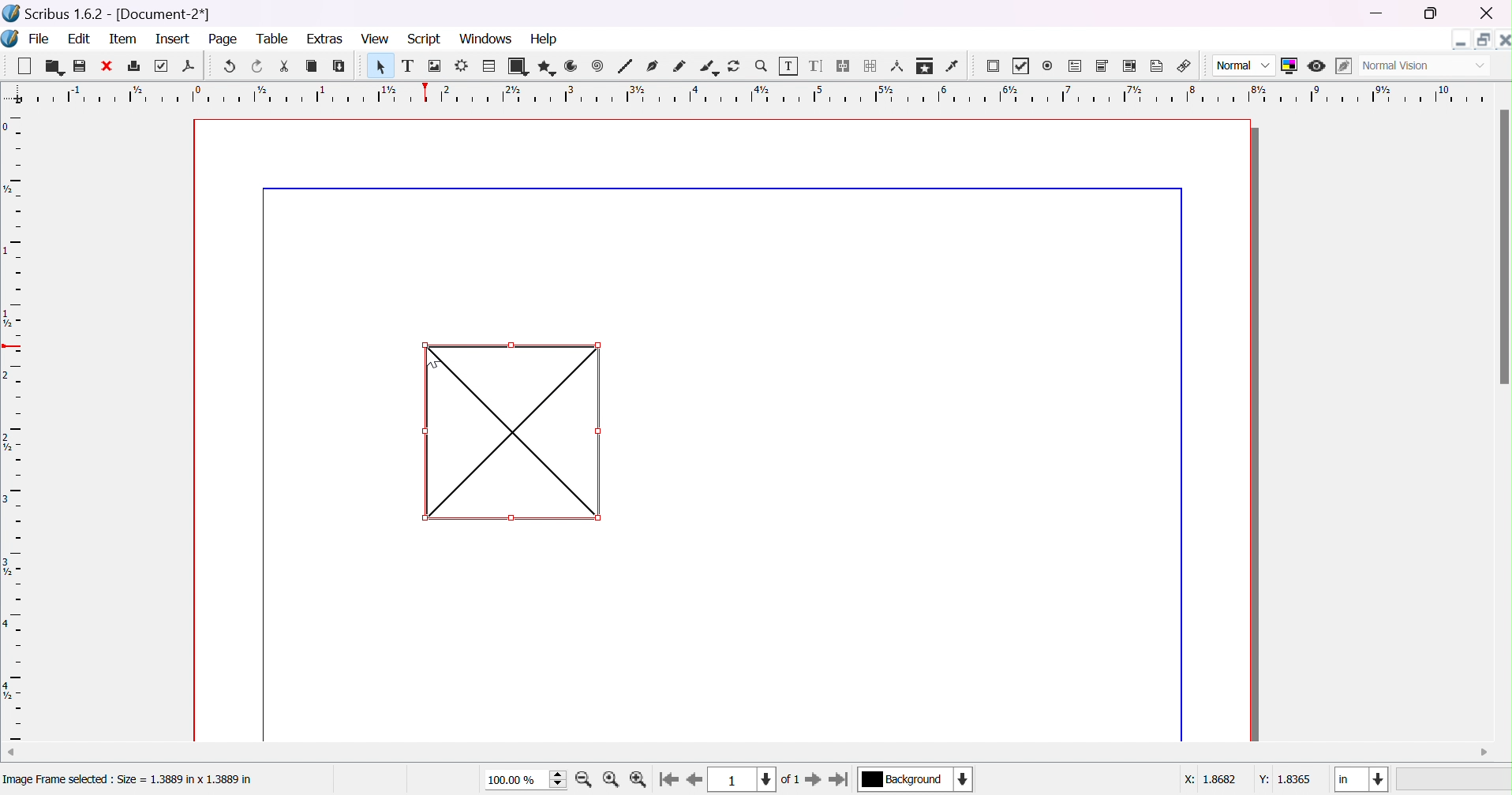 The height and width of the screenshot is (795, 1512). I want to click on polygon, so click(545, 66).